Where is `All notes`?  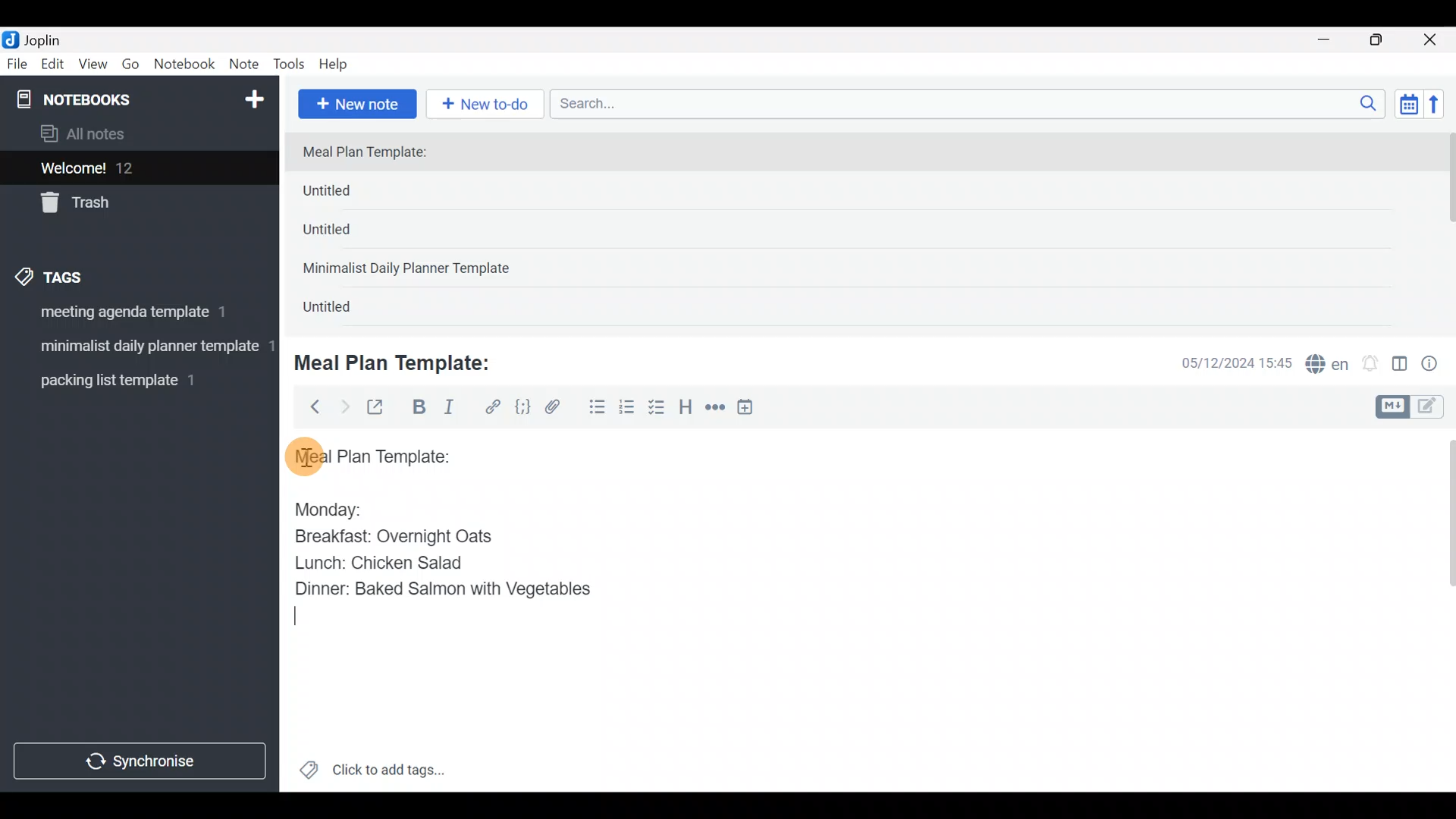 All notes is located at coordinates (136, 135).